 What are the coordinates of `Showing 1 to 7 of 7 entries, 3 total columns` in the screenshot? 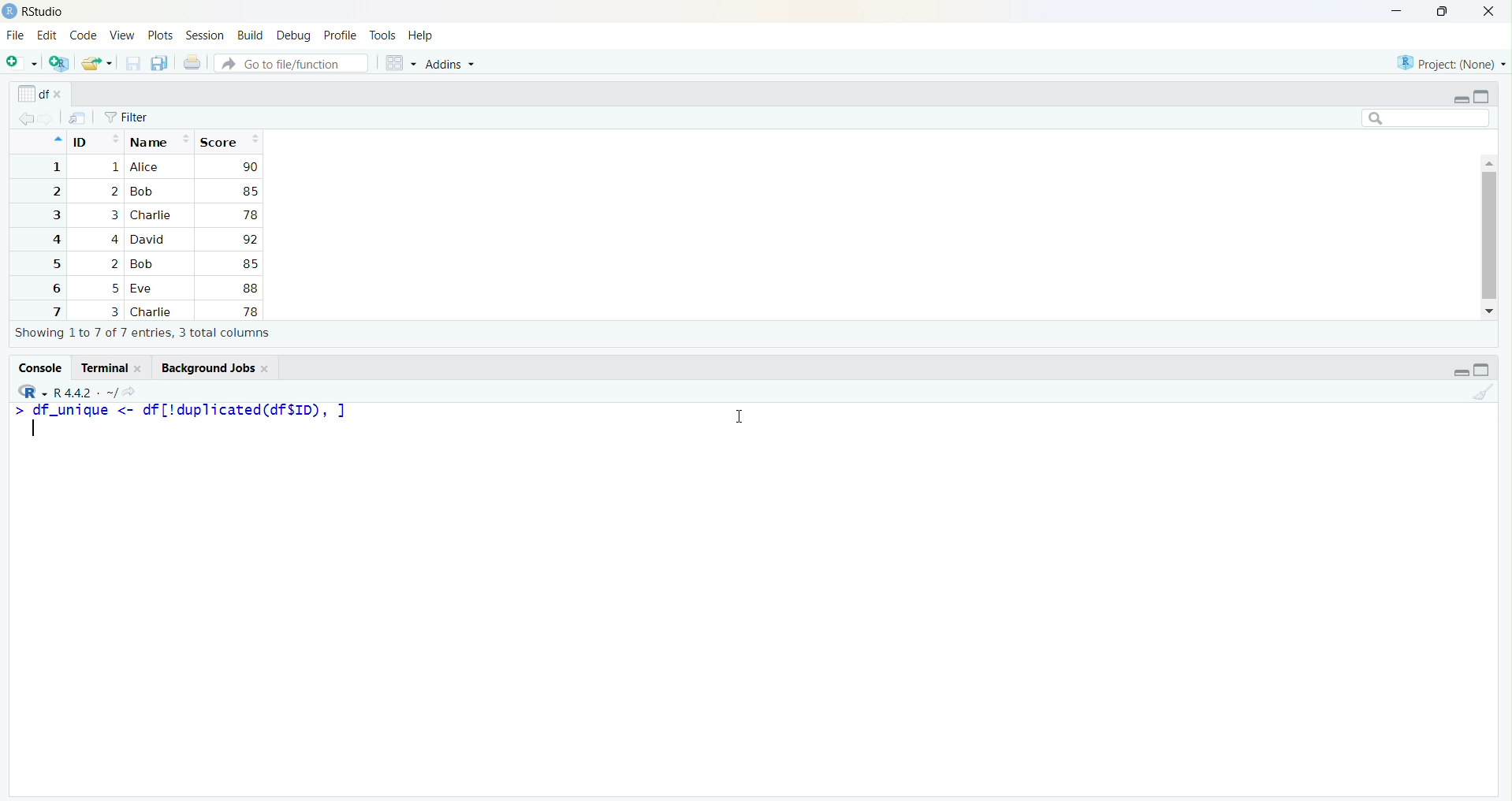 It's located at (143, 333).